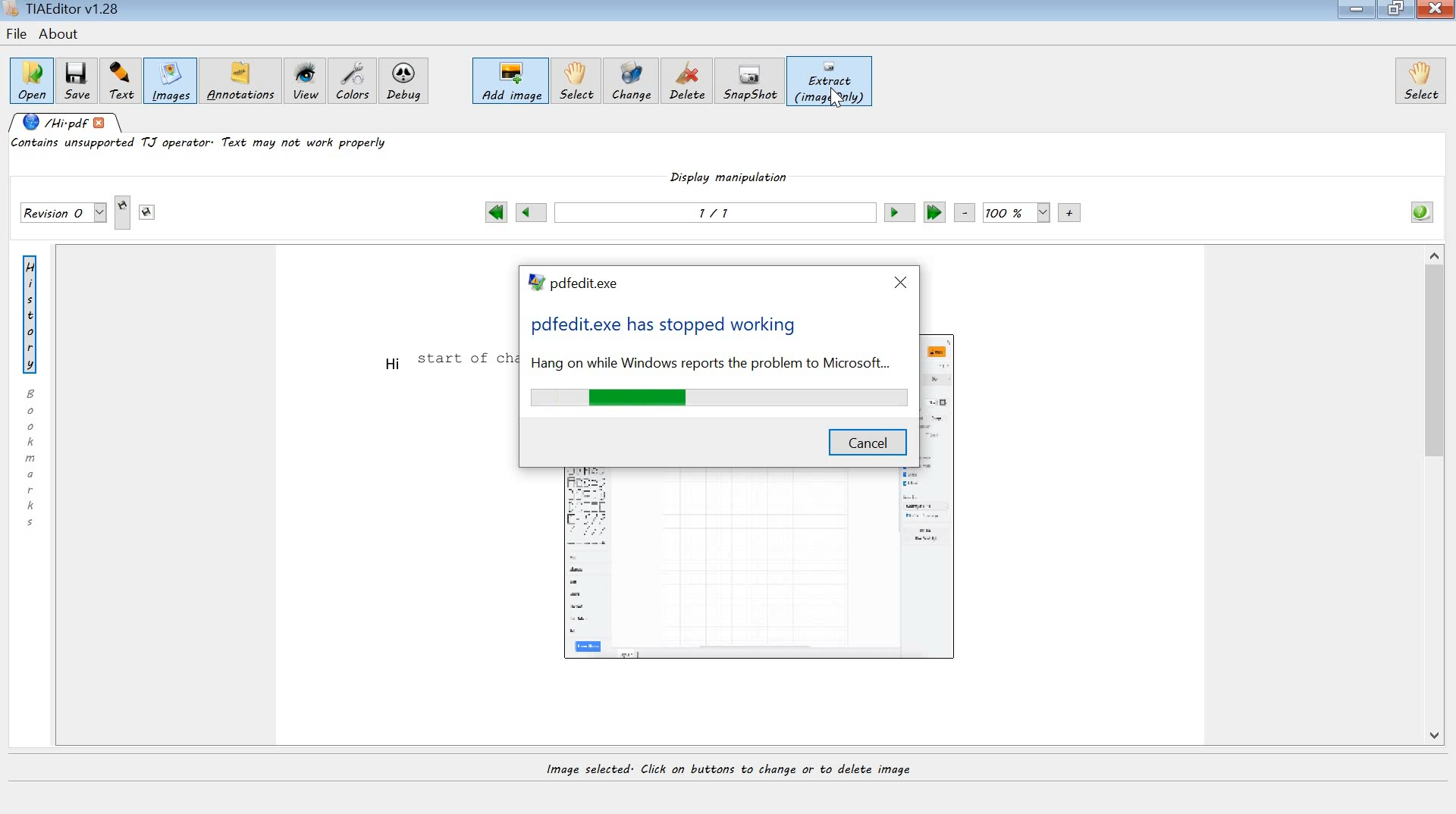  I want to click on add image, so click(511, 83).